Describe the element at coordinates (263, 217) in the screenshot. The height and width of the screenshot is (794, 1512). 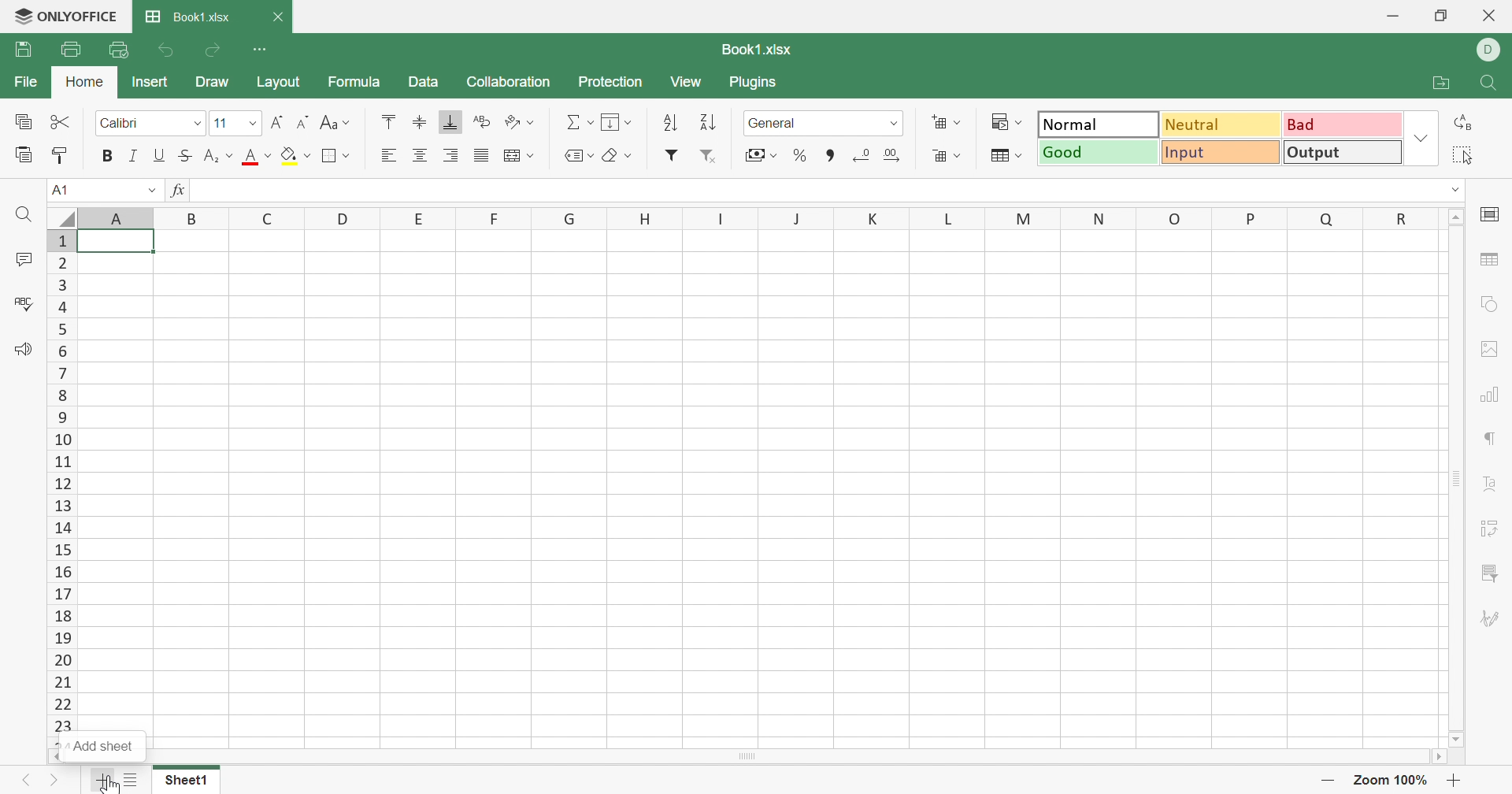
I see `C` at that location.